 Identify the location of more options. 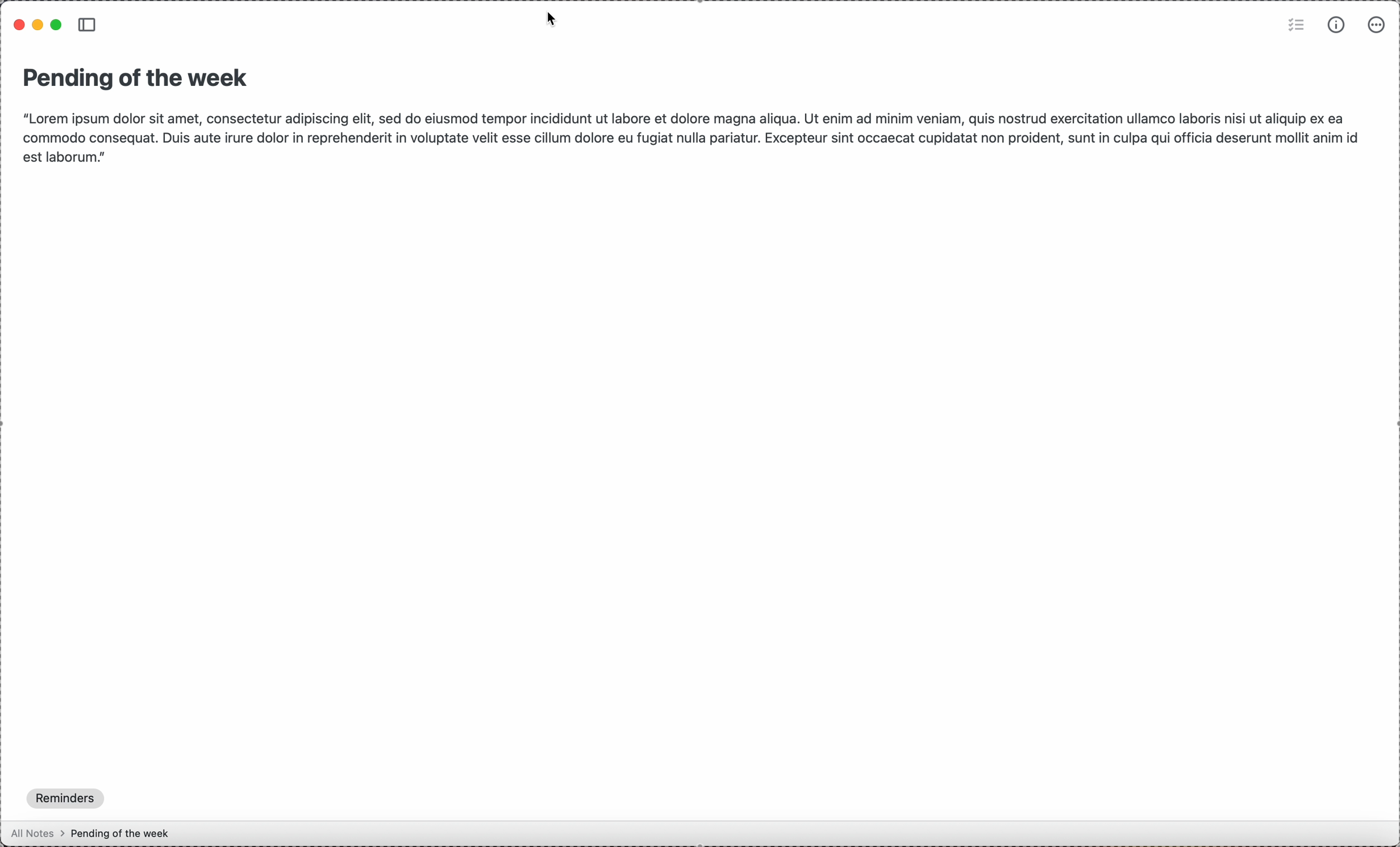
(1377, 26).